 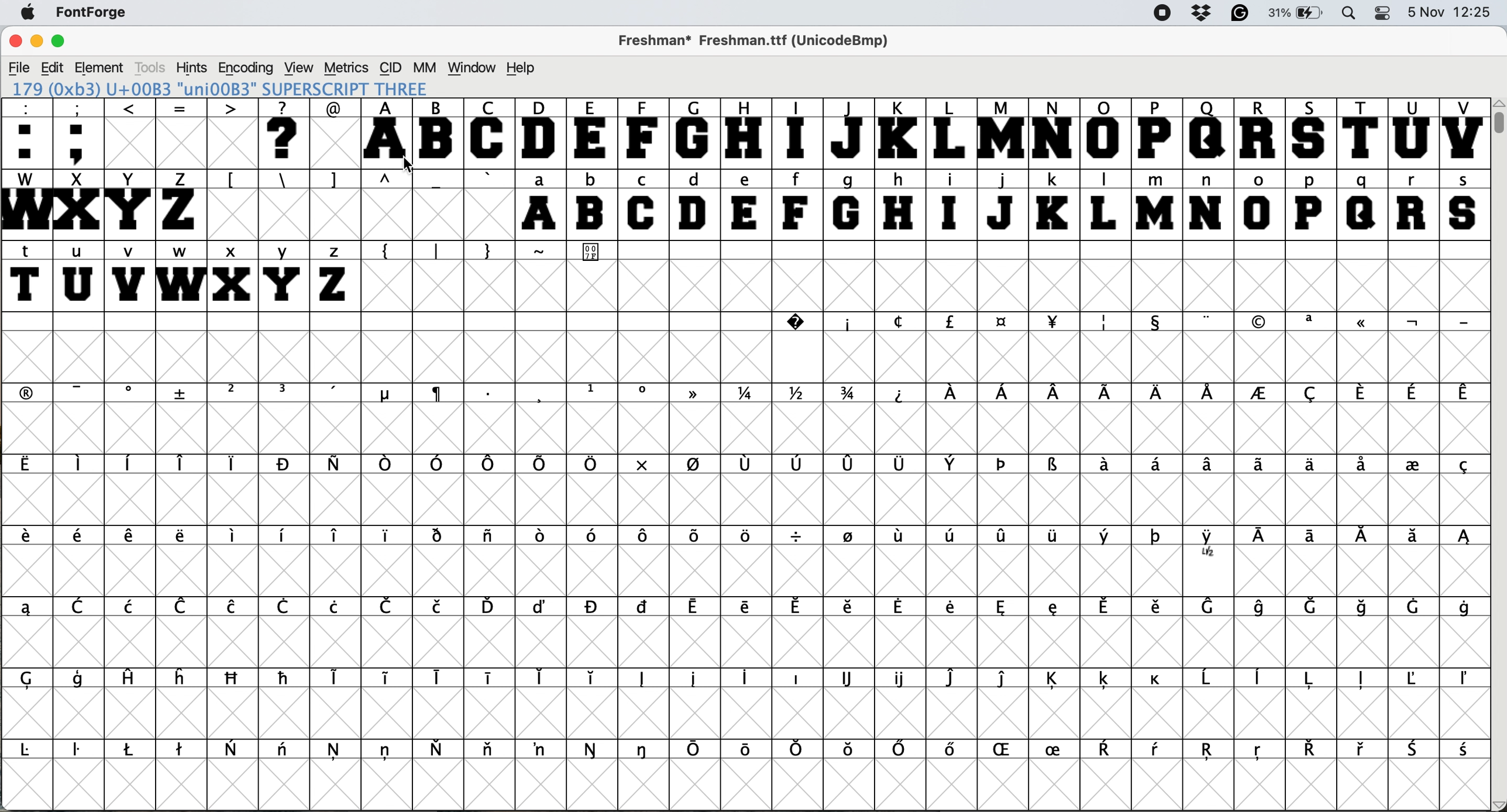 I want to click on symbol, so click(x=1210, y=393).